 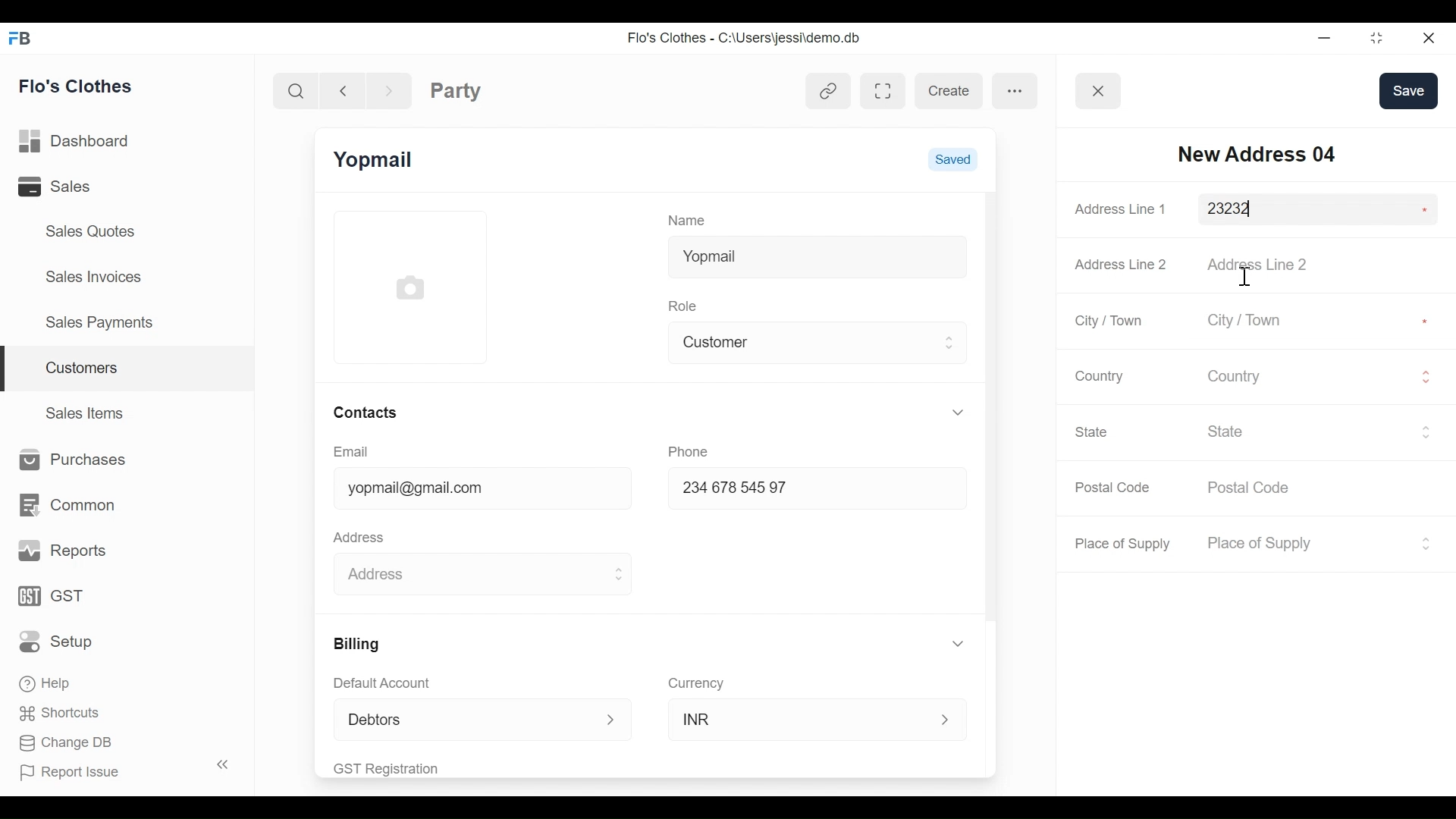 I want to click on Address Line 1, so click(x=1122, y=209).